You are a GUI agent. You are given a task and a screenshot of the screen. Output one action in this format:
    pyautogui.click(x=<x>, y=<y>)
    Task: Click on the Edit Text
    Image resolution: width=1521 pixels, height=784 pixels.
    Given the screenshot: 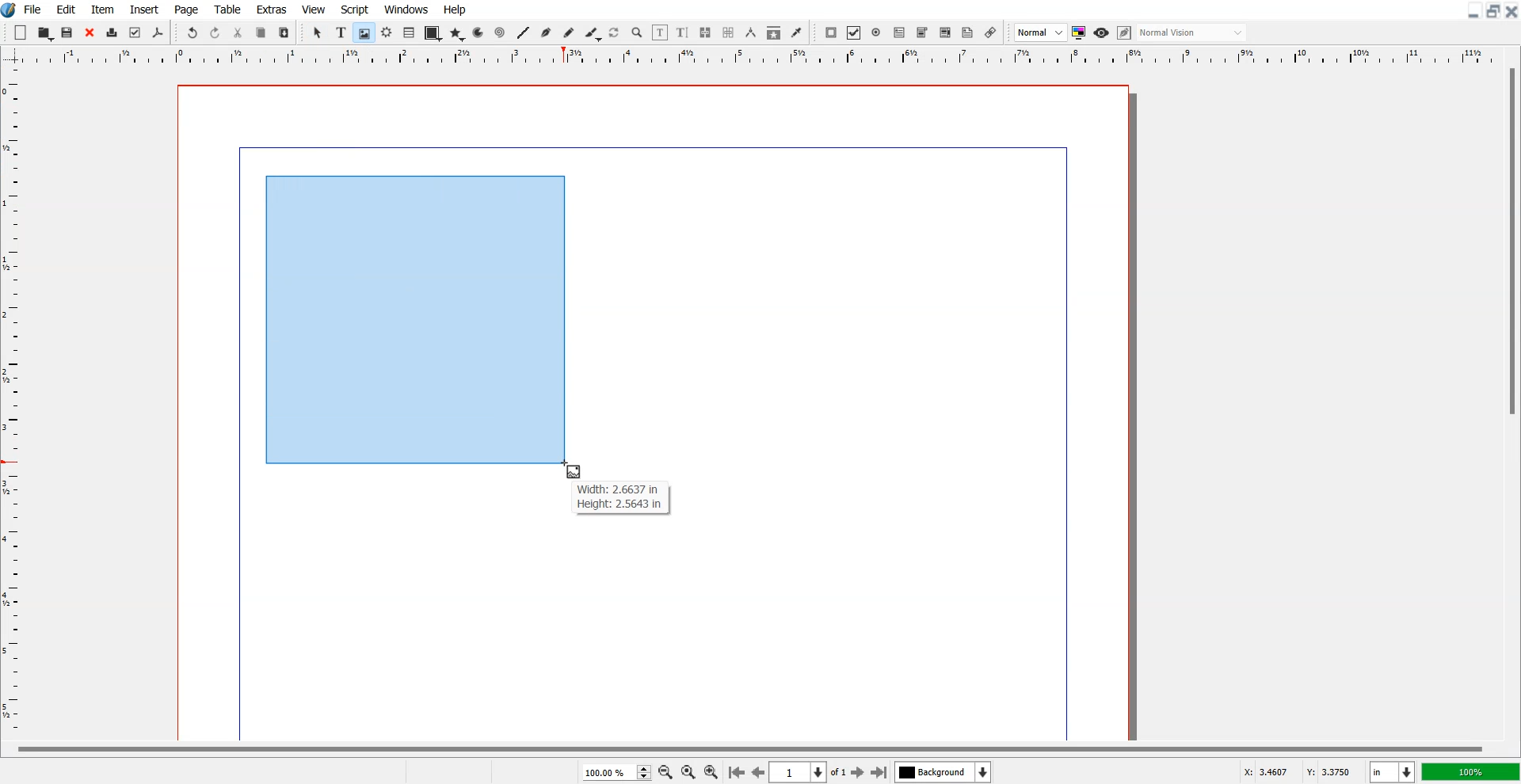 What is the action you would take?
    pyautogui.click(x=683, y=32)
    